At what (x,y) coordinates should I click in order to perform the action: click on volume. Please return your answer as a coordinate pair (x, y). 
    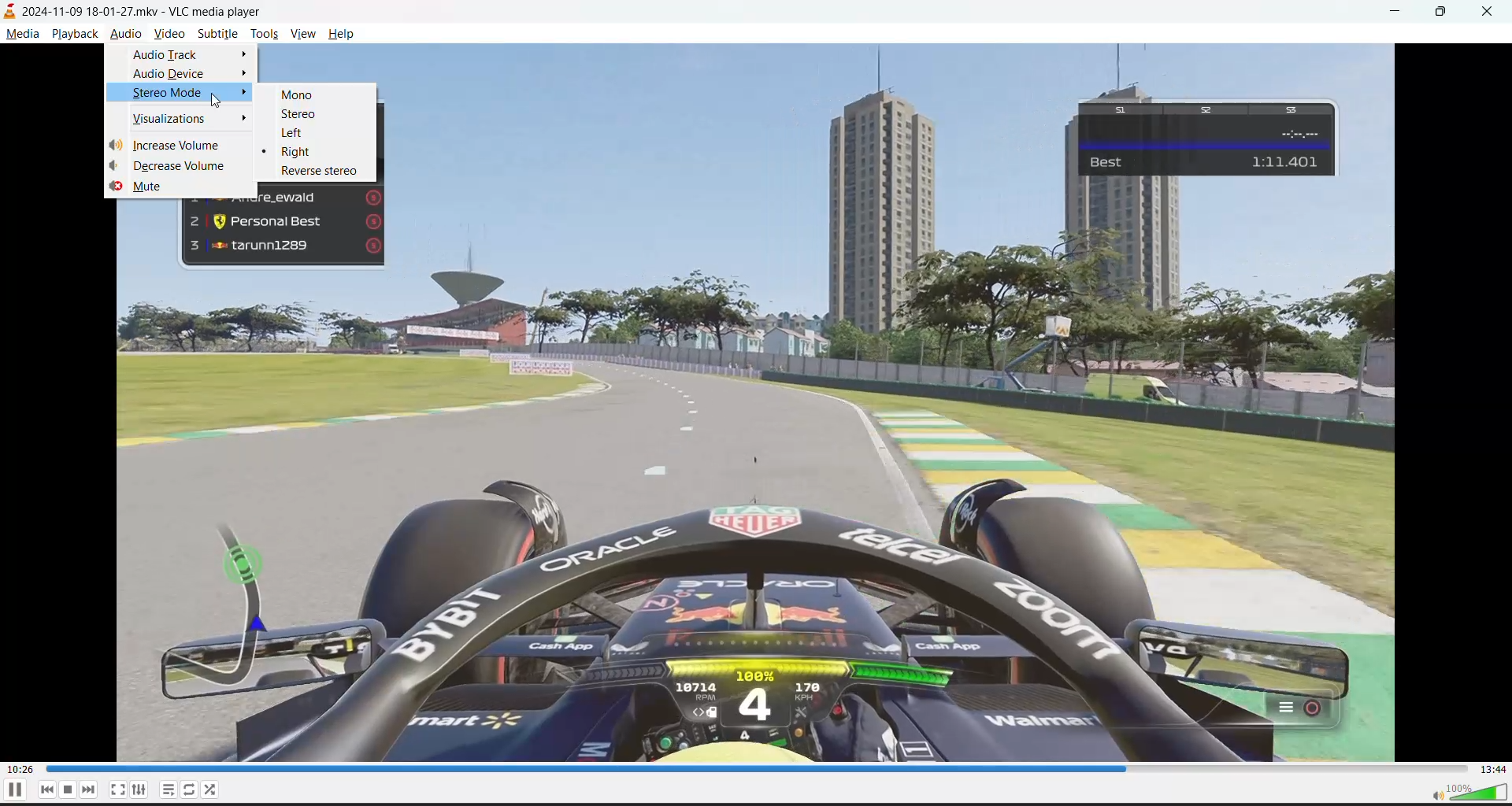
    Looking at the image, I should click on (1469, 793).